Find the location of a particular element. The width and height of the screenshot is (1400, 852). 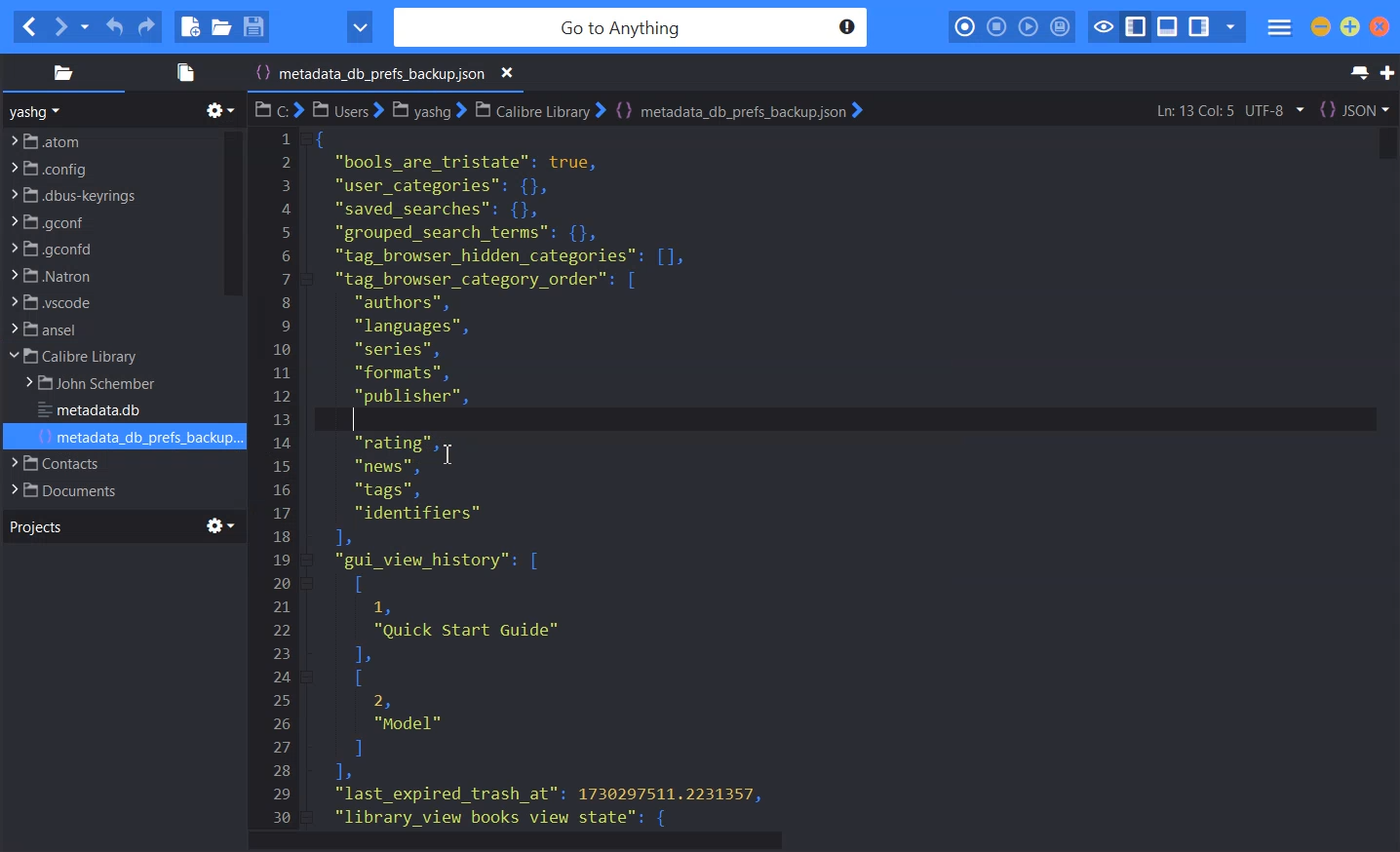

New file using default Language is located at coordinates (190, 27).